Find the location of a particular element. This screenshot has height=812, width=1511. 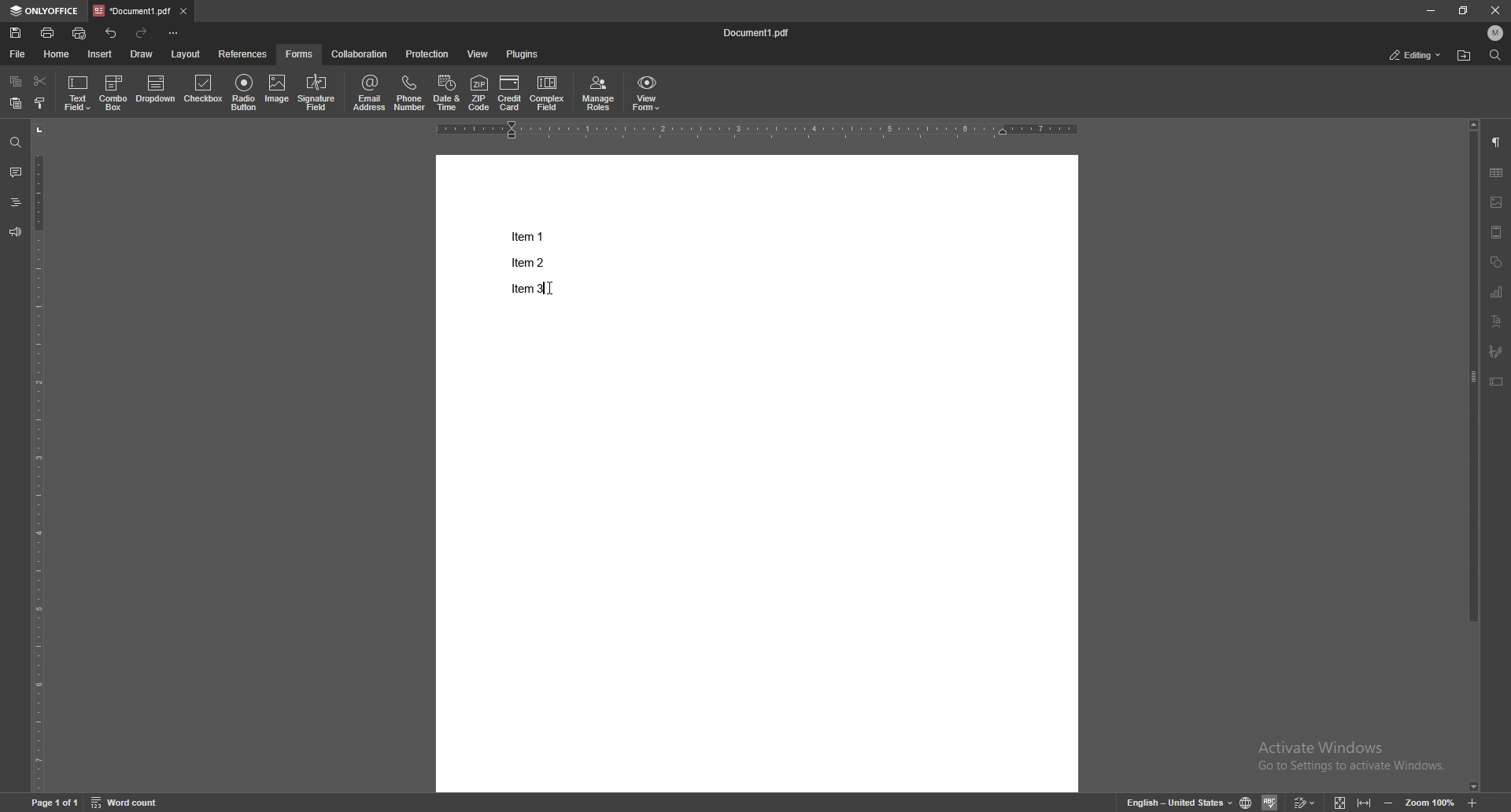

onlyoffice is located at coordinates (46, 10).